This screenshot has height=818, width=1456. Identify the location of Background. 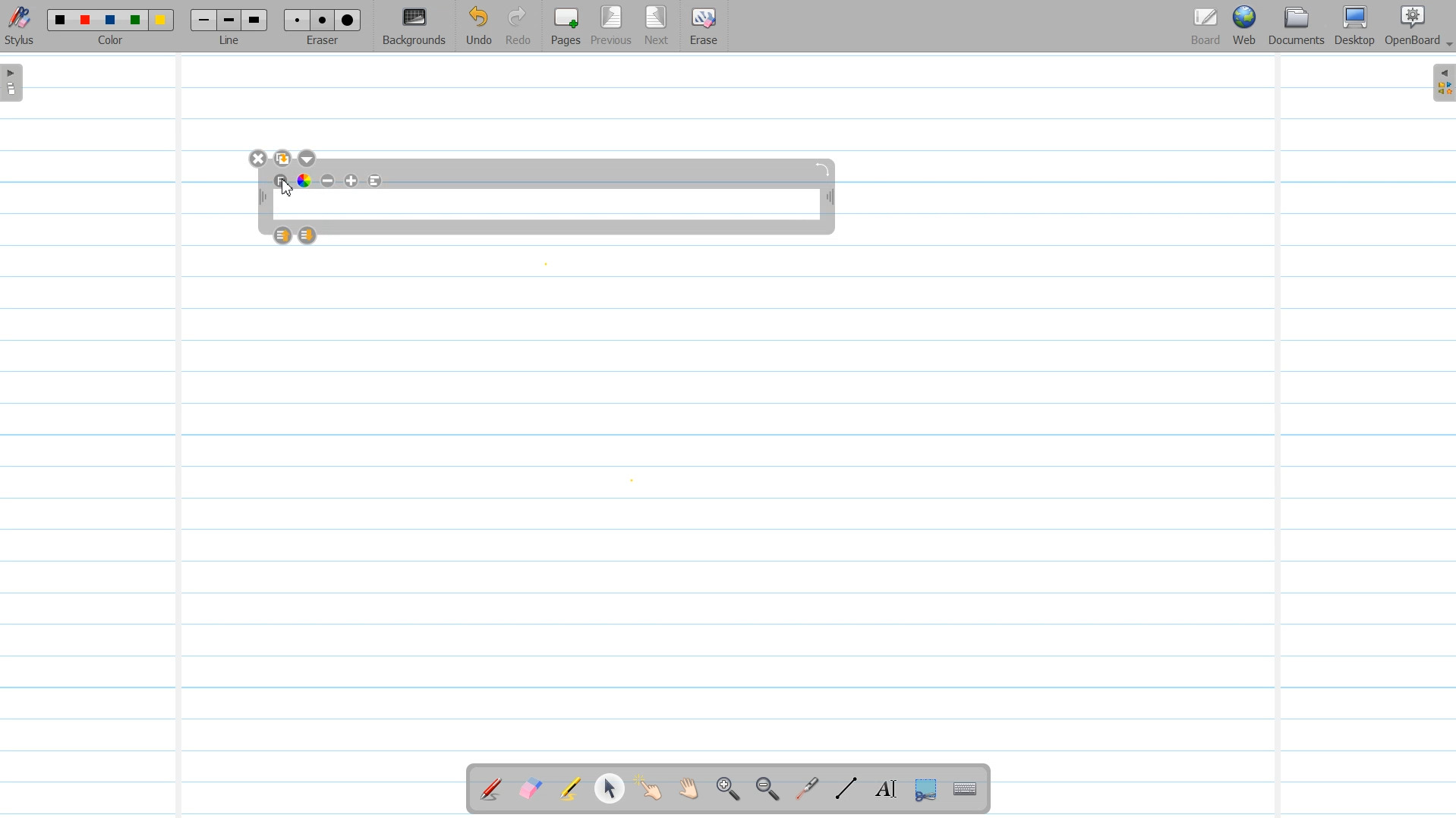
(415, 27).